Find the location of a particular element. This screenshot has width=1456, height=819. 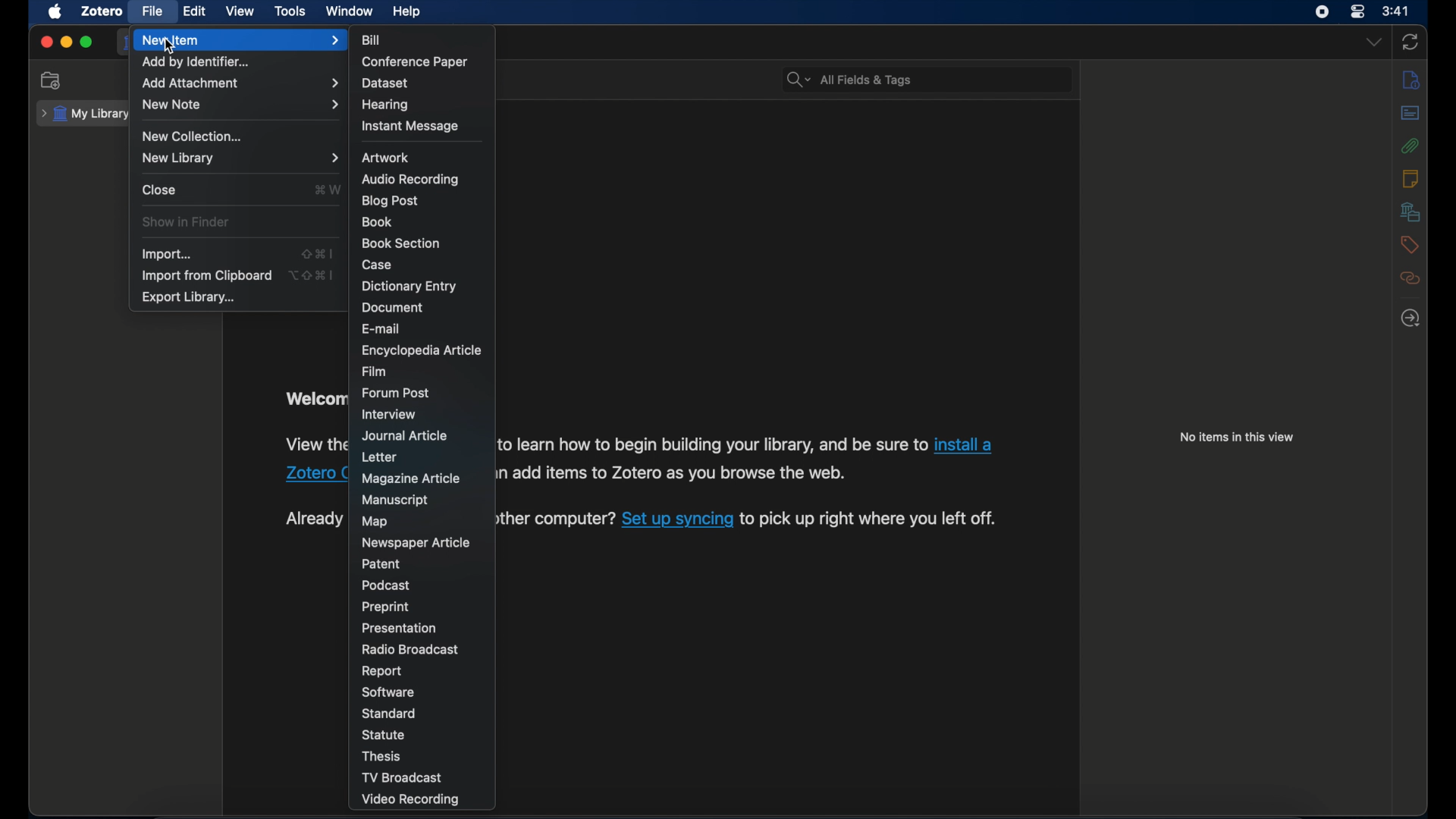

sync is located at coordinates (1410, 42).